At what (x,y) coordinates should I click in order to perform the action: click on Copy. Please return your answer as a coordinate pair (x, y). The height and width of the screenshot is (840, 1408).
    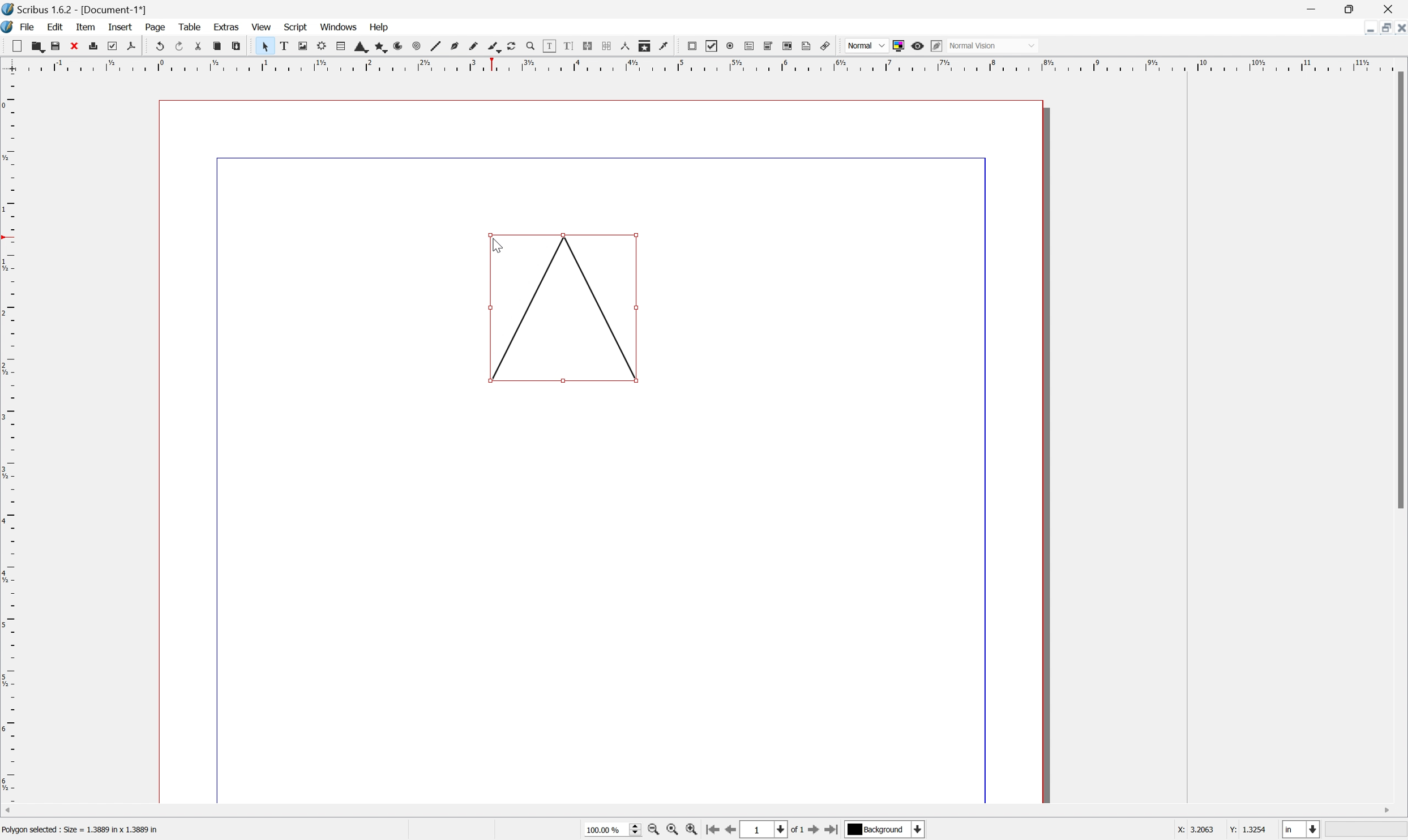
    Looking at the image, I should click on (216, 46).